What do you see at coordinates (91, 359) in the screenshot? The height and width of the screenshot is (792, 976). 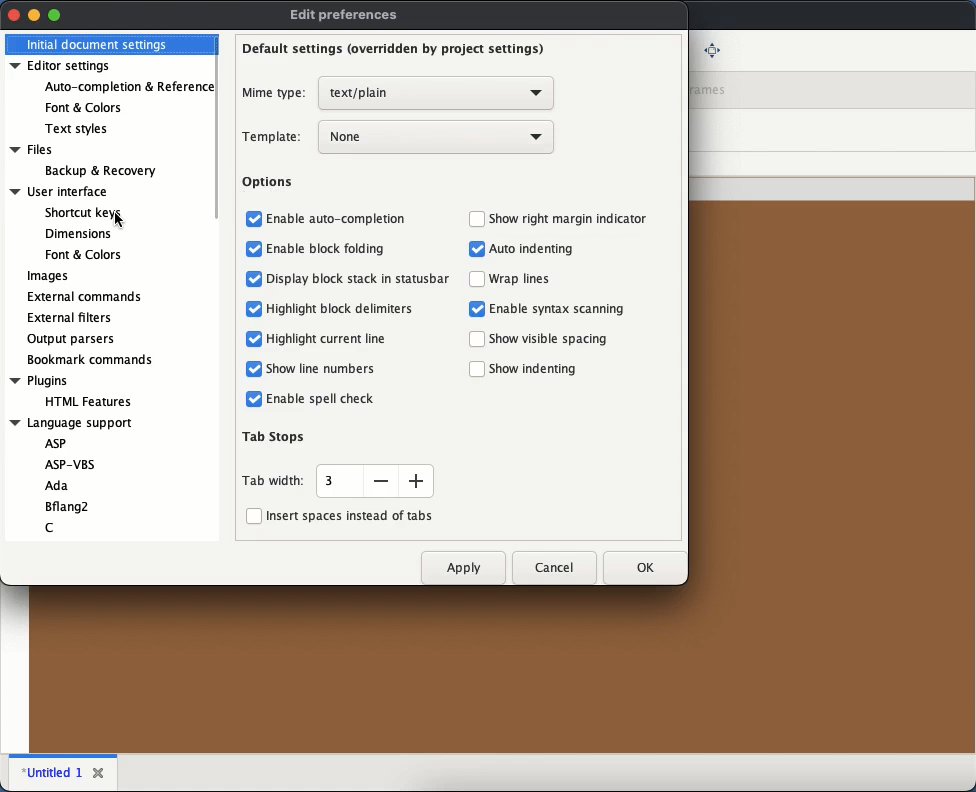 I see `bookmark commands` at bounding box center [91, 359].